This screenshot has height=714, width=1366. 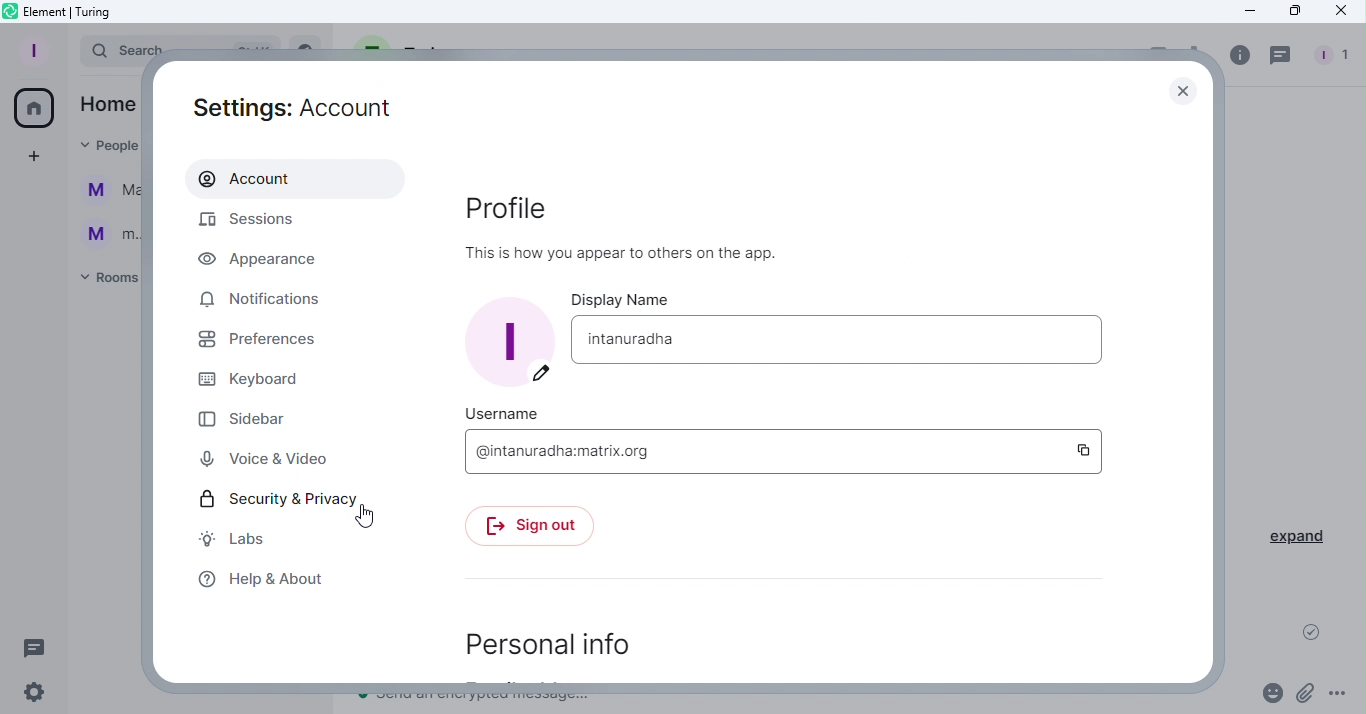 What do you see at coordinates (107, 193) in the screenshot?
I see `Martina Tornello` at bounding box center [107, 193].